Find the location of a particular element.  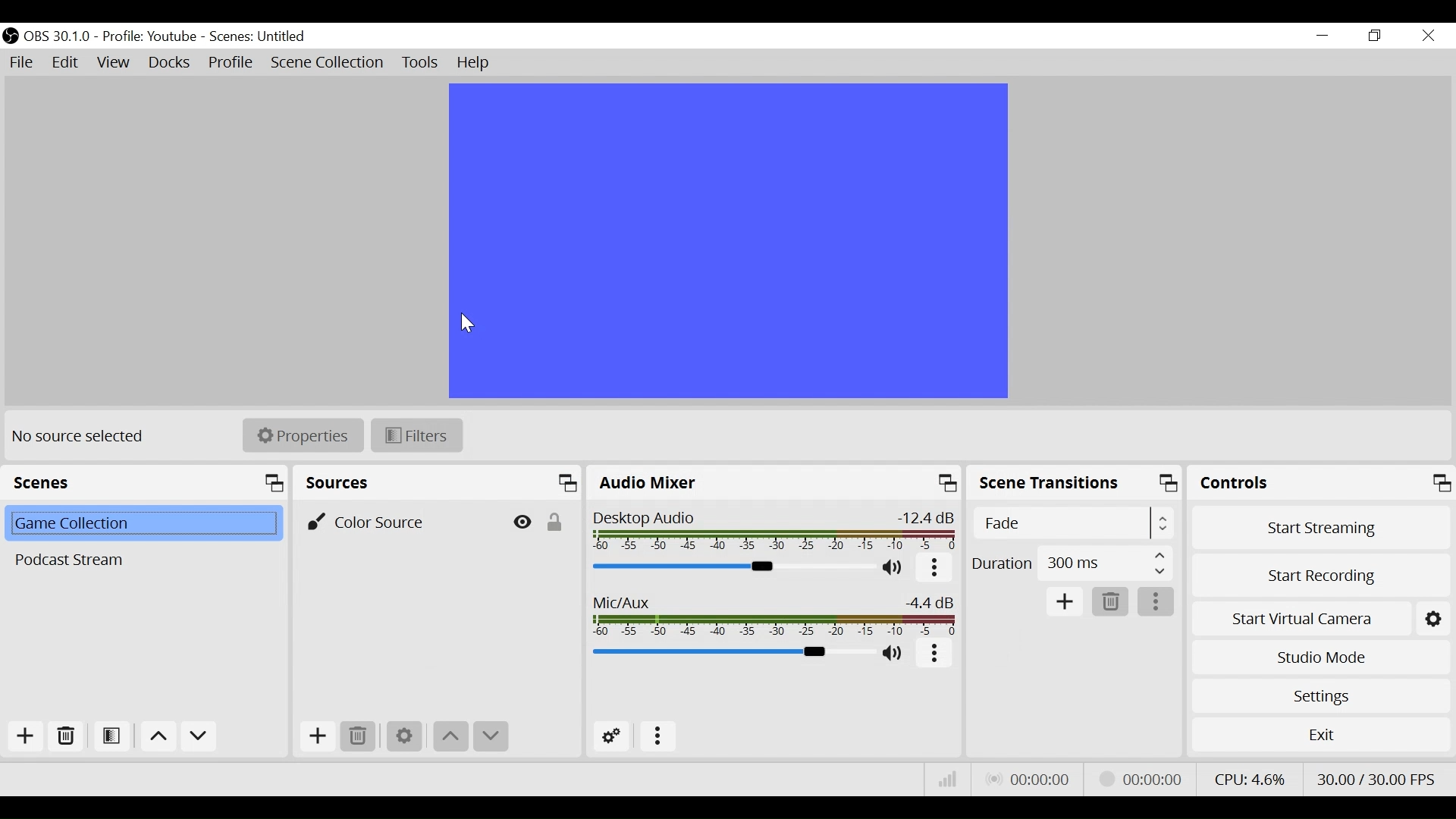

move down is located at coordinates (199, 737).